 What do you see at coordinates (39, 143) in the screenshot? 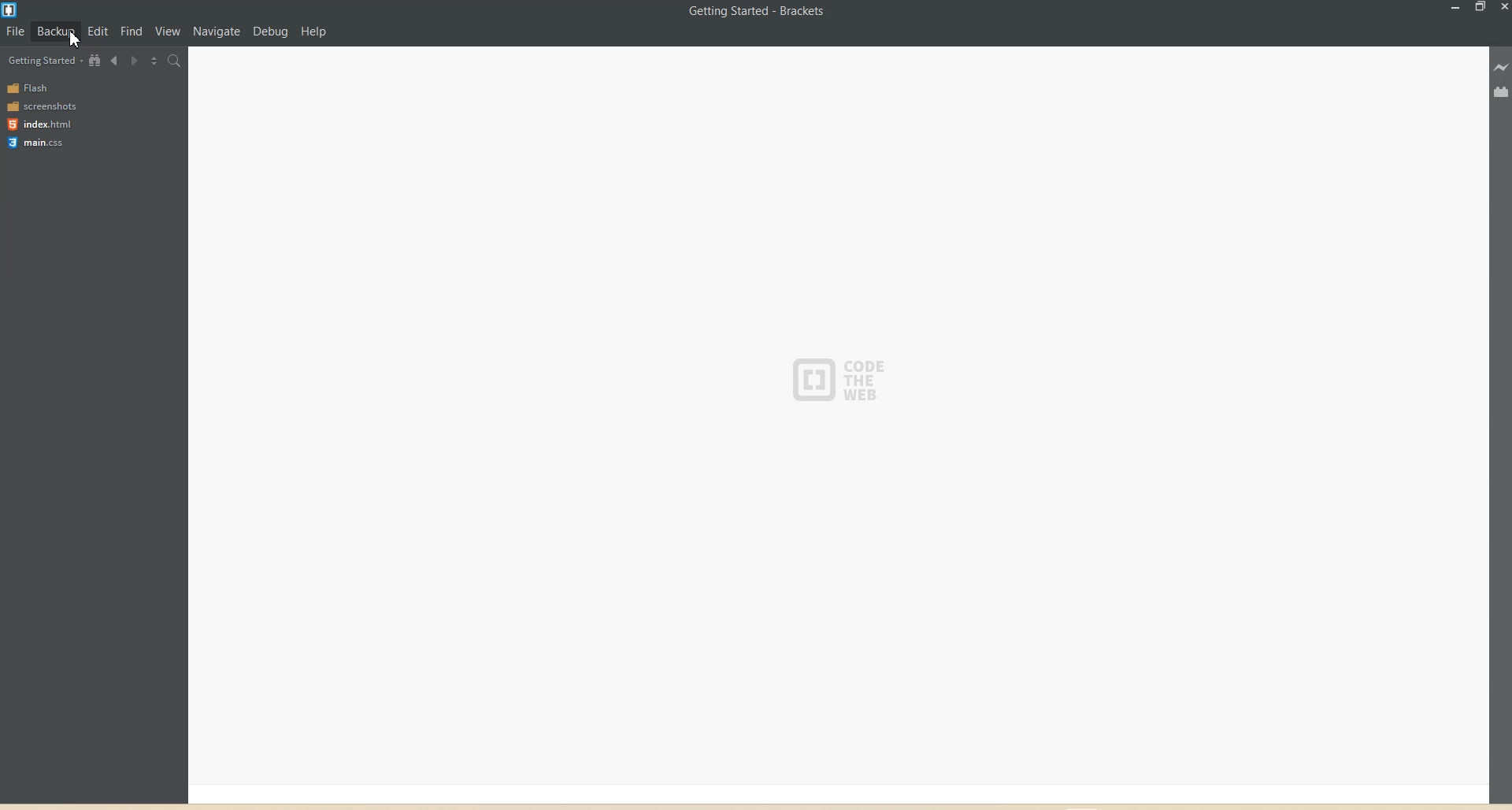
I see `main.css` at bounding box center [39, 143].